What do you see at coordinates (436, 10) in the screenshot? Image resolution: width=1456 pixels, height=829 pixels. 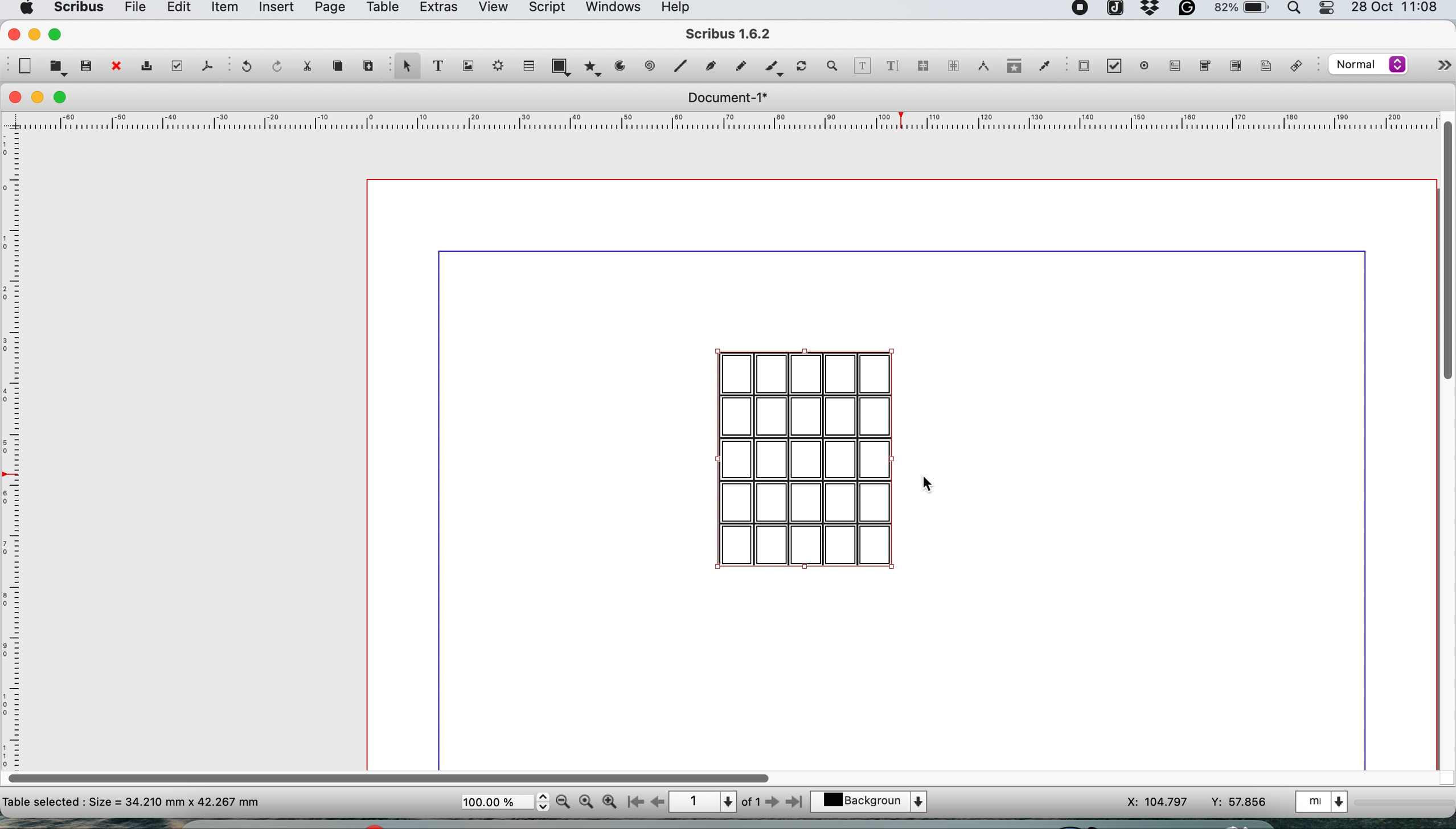 I see `extras` at bounding box center [436, 10].